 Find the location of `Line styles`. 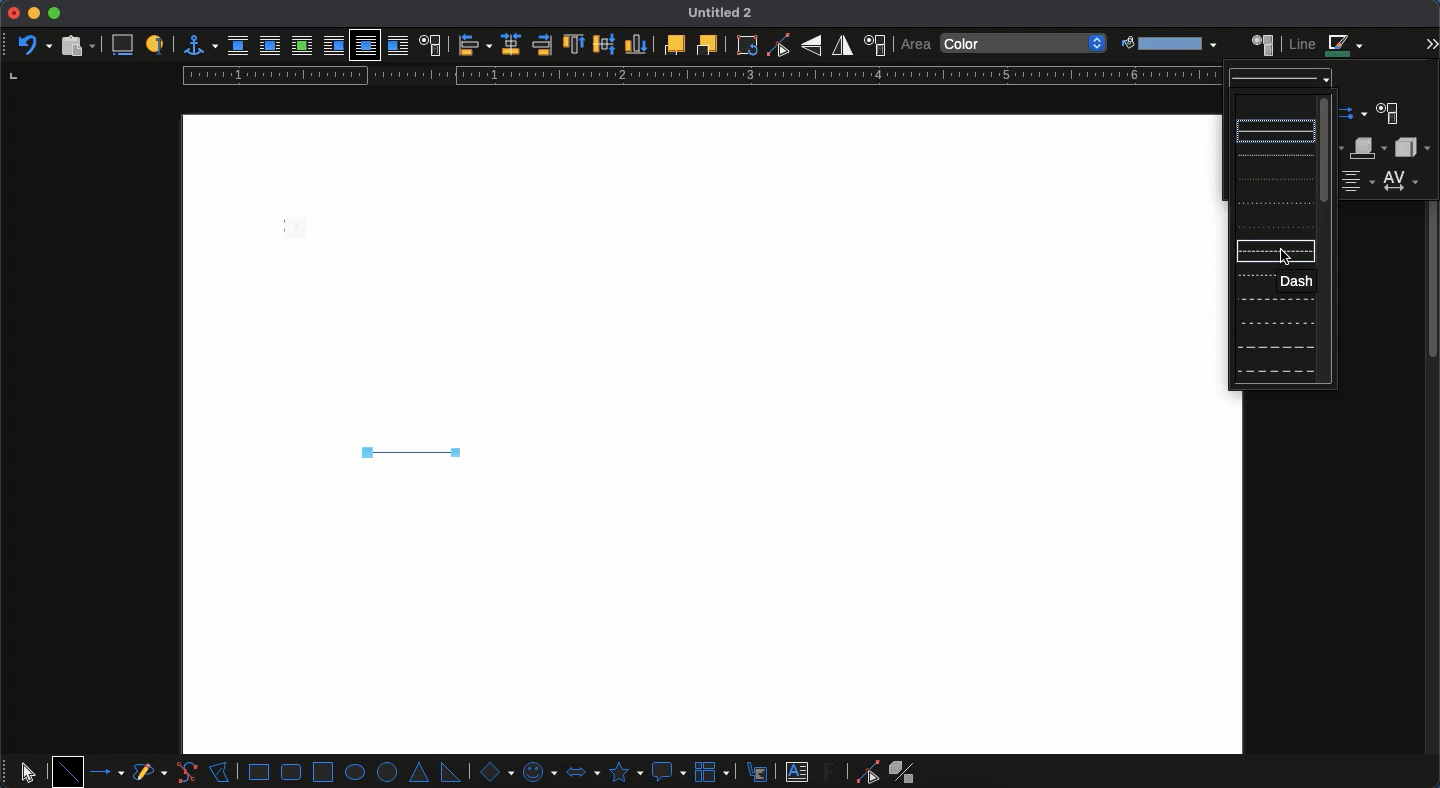

Line styles is located at coordinates (1281, 79).